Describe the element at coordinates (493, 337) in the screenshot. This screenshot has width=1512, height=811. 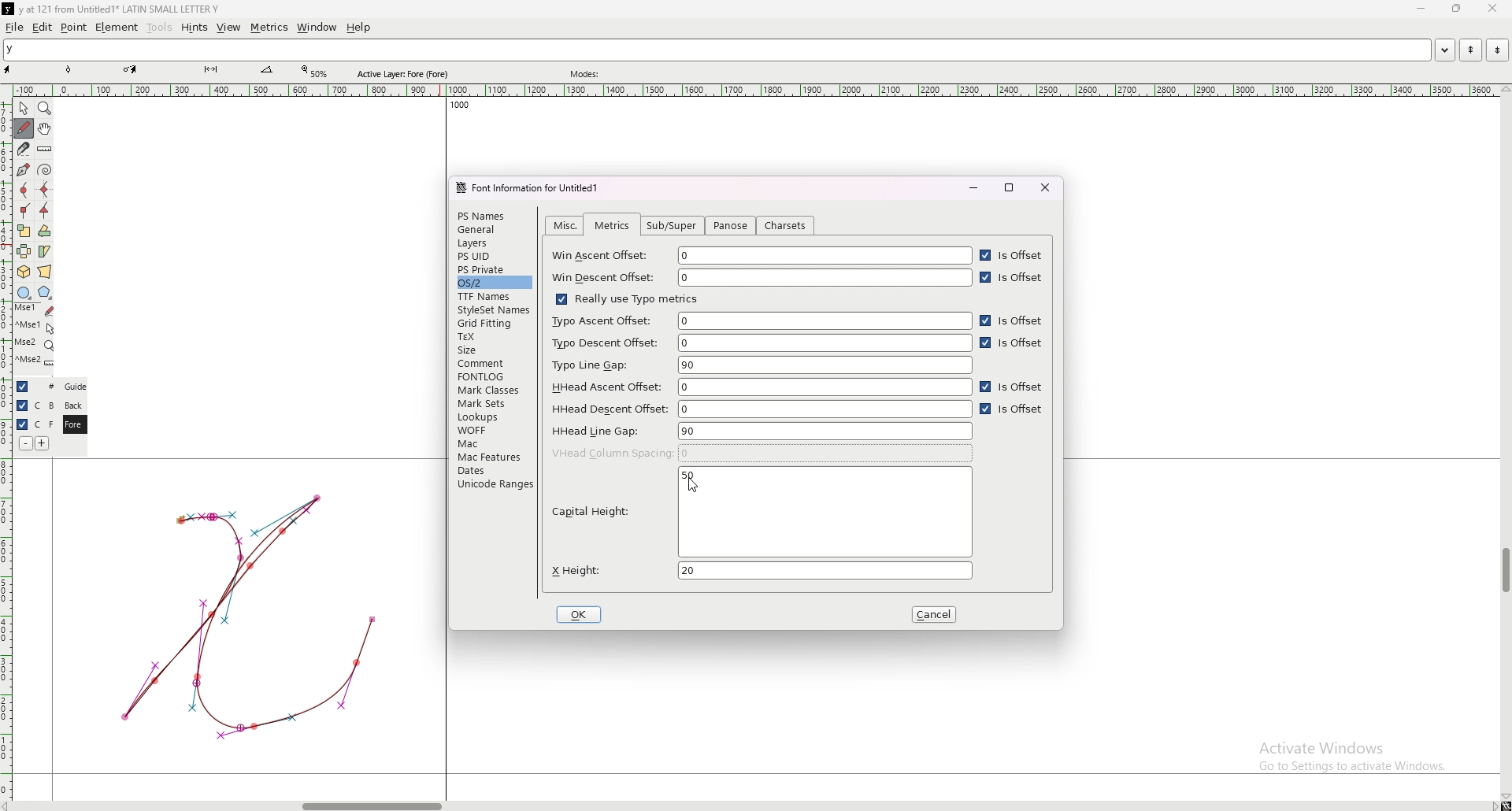
I see `tex` at that location.